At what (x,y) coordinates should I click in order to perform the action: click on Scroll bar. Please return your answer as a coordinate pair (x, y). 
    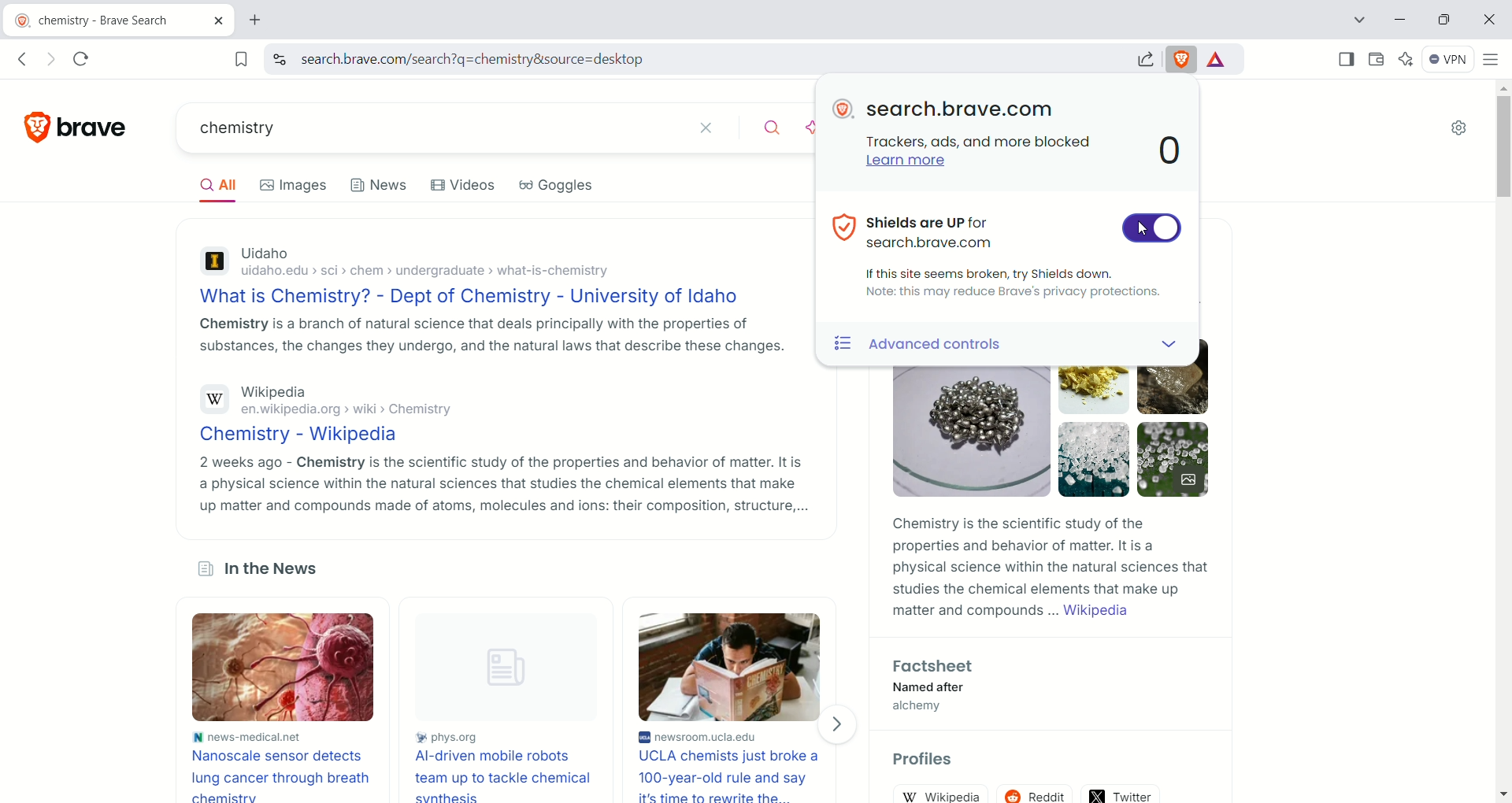
    Looking at the image, I should click on (1503, 145).